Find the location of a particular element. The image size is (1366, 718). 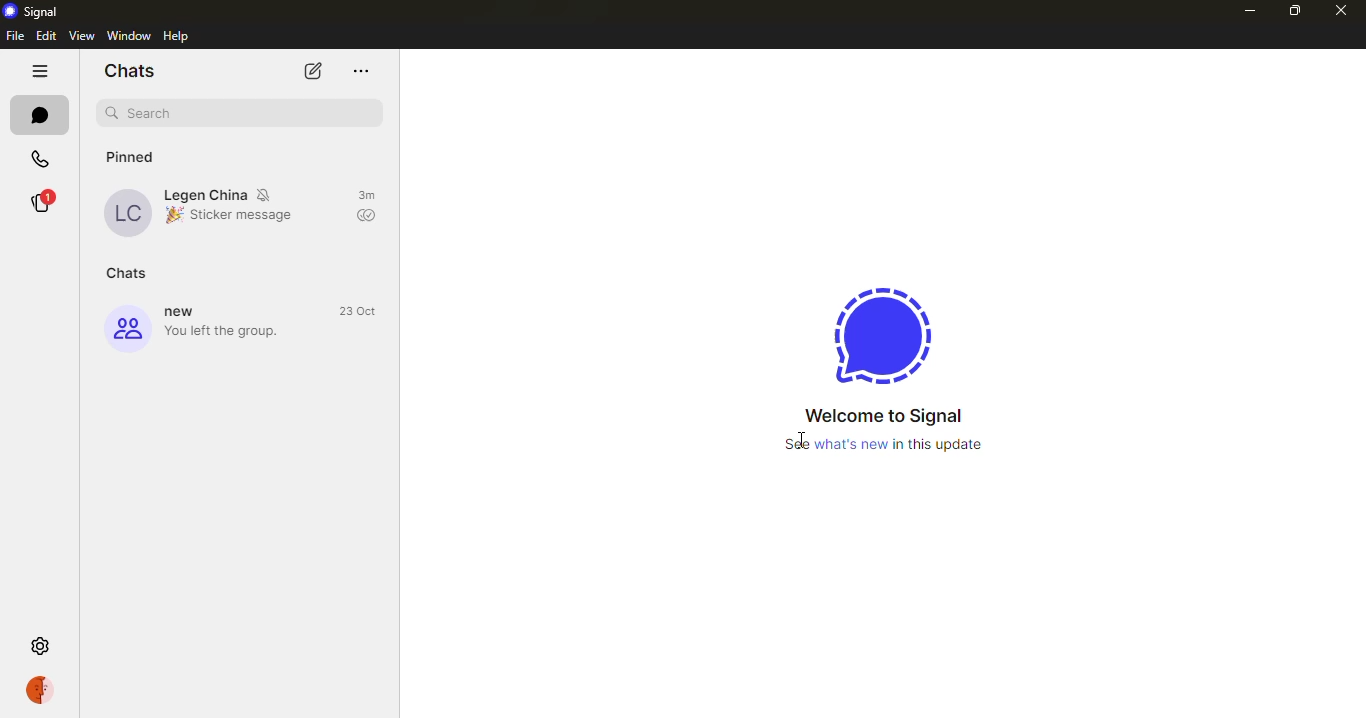

emoji is located at coordinates (173, 216).